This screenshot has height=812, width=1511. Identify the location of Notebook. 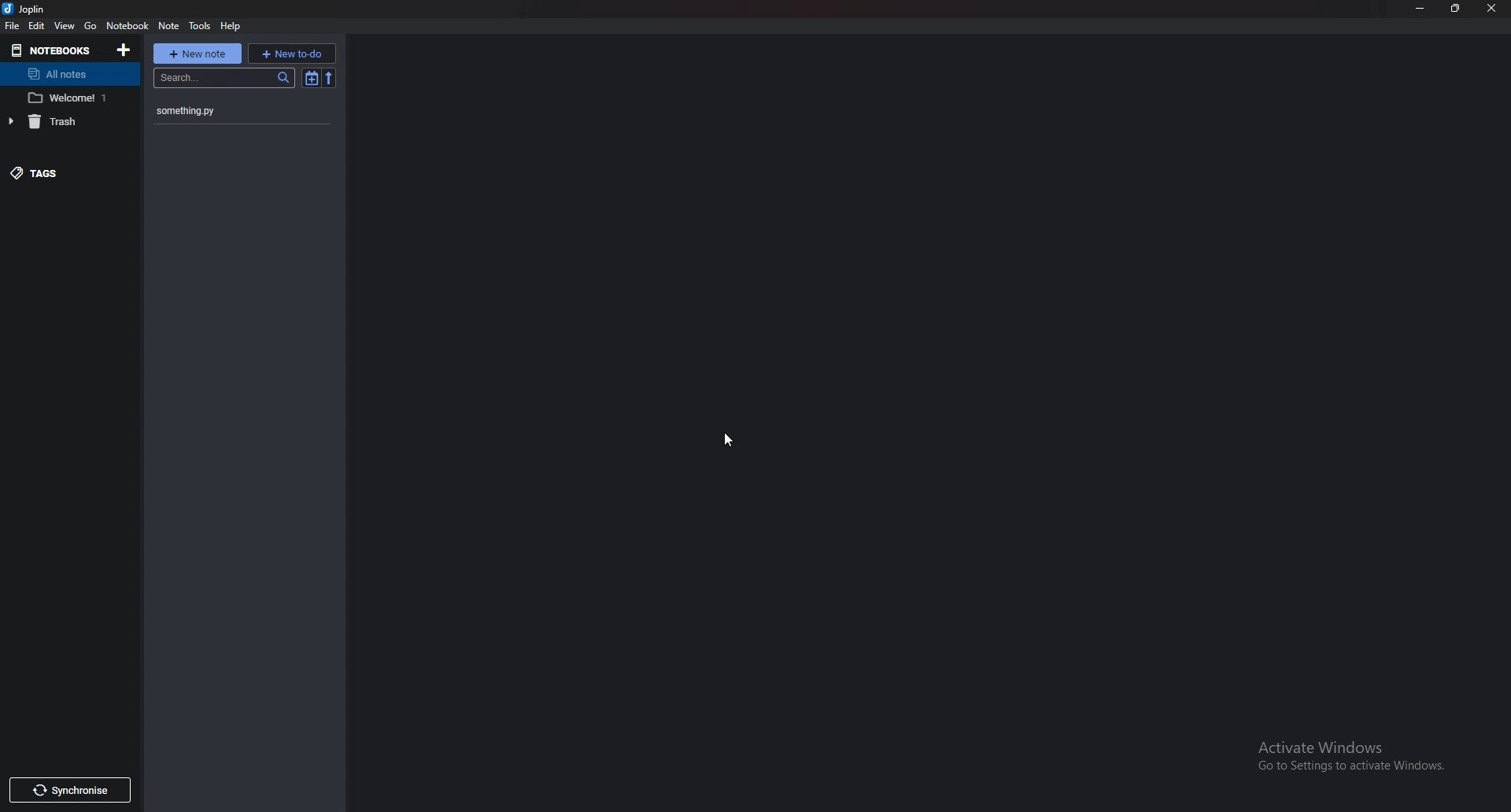
(130, 25).